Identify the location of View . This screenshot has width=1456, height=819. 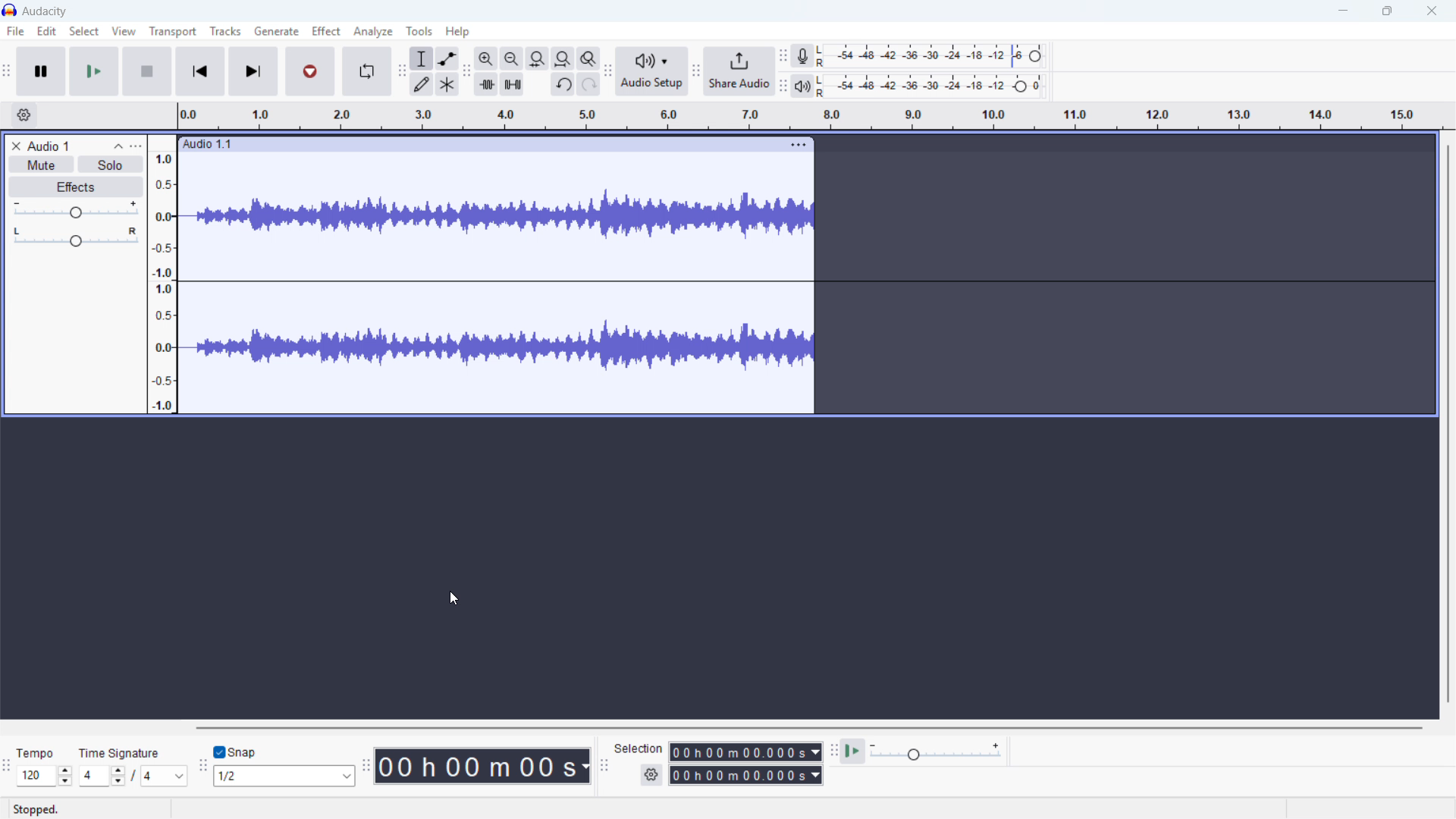
(124, 32).